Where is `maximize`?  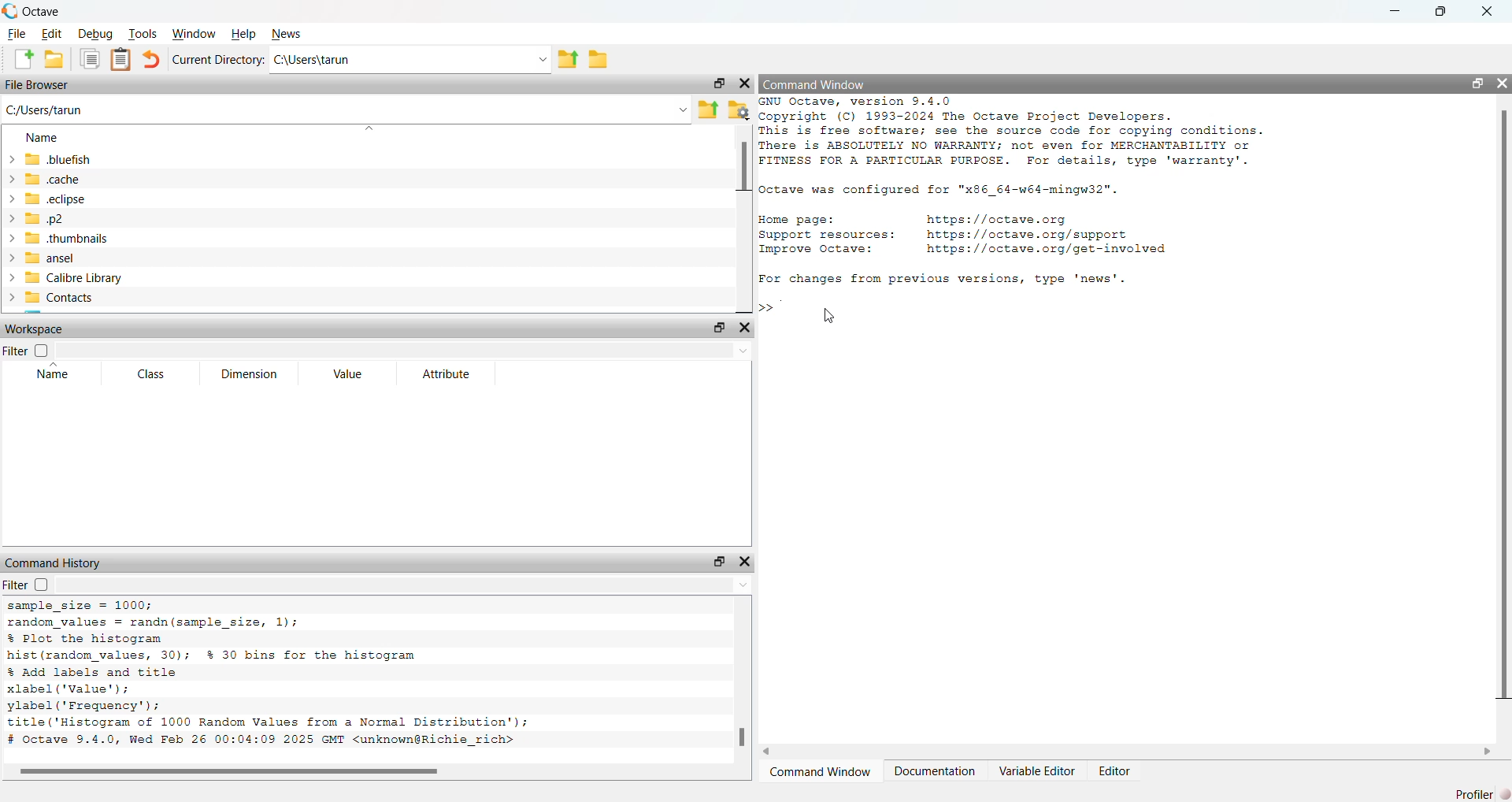 maximize is located at coordinates (717, 563).